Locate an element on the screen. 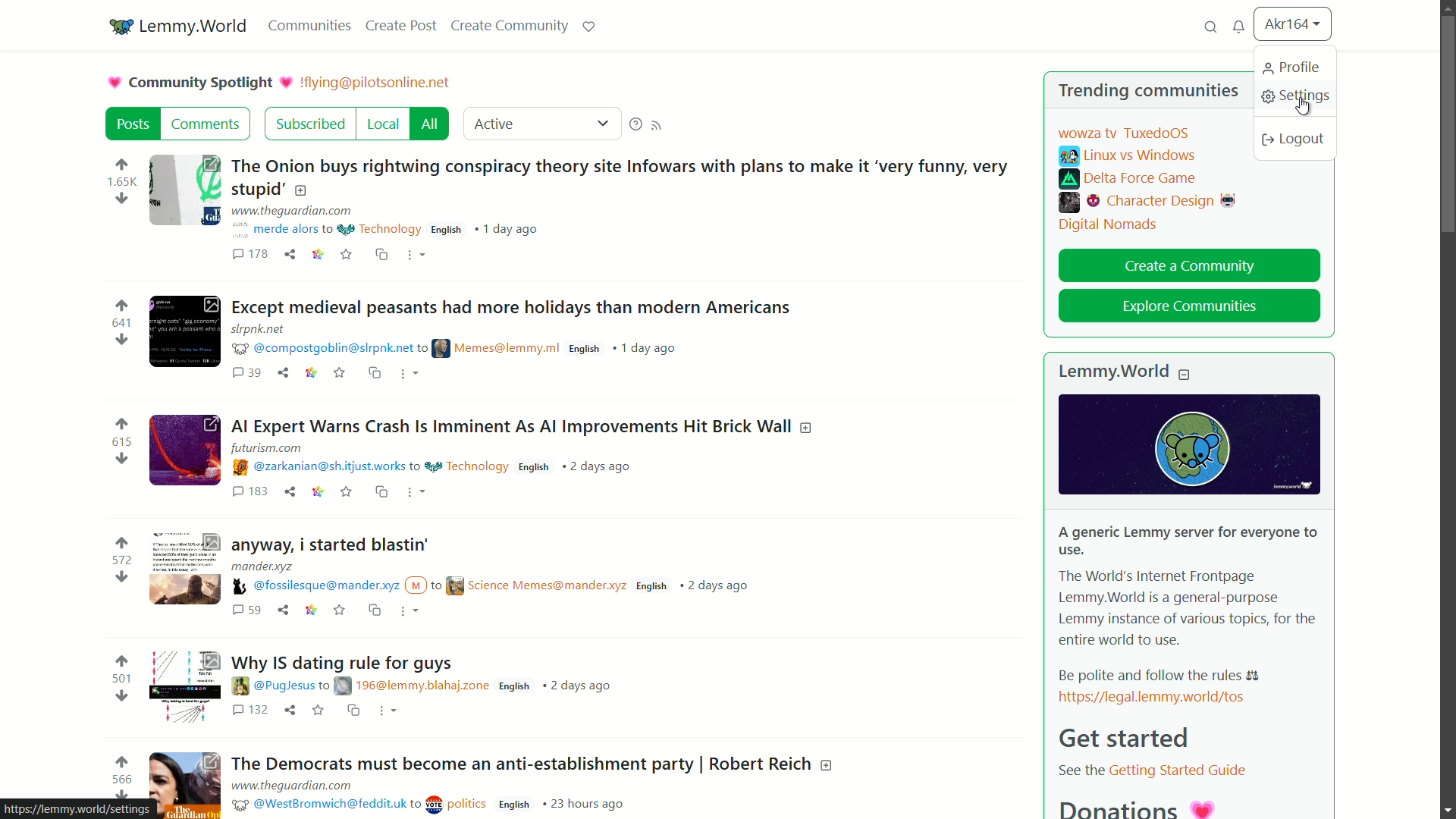 The height and width of the screenshot is (819, 1456). cross share is located at coordinates (378, 253).